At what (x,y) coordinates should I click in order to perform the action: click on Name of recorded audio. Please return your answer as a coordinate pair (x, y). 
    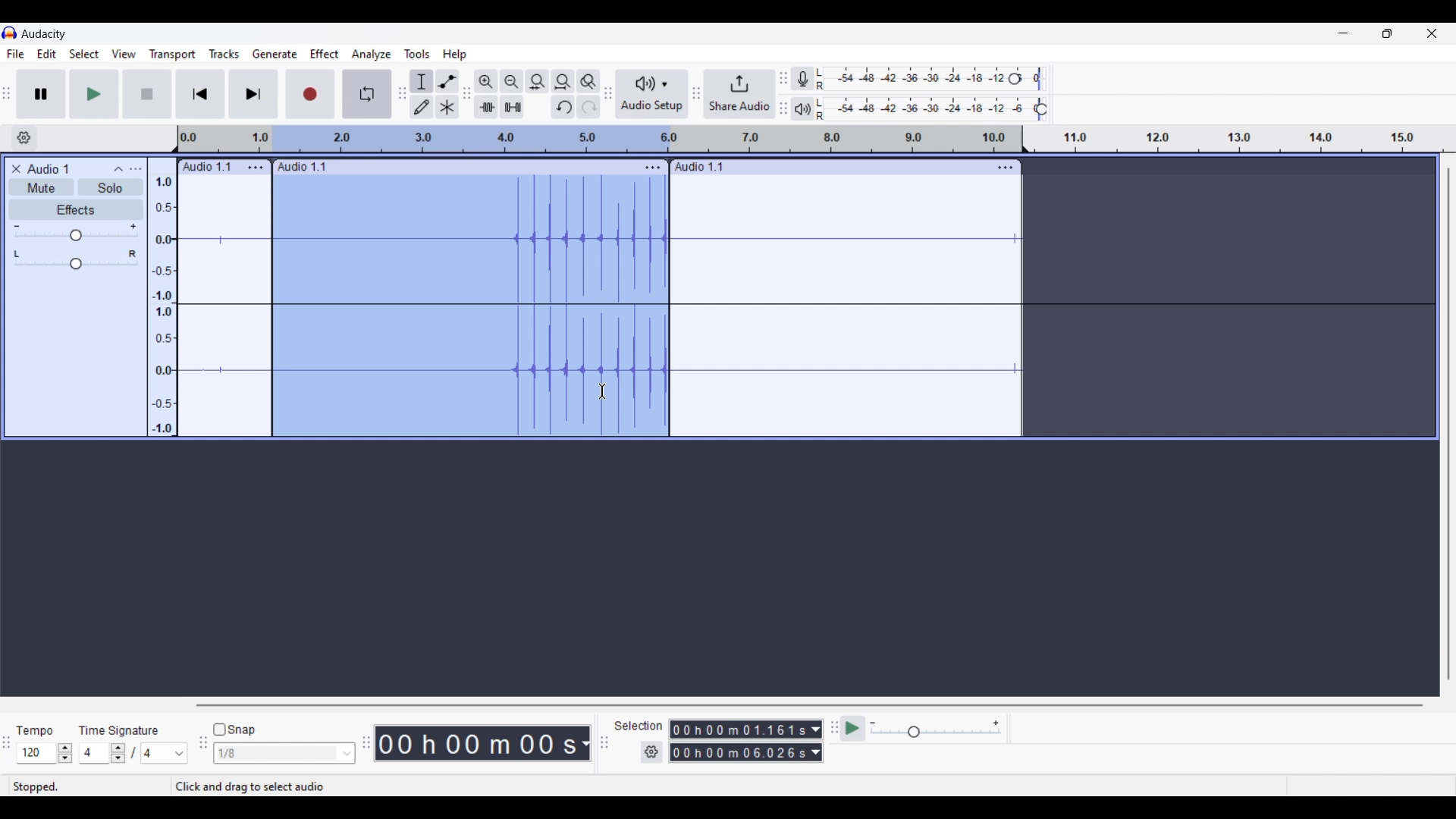
    Looking at the image, I should click on (206, 167).